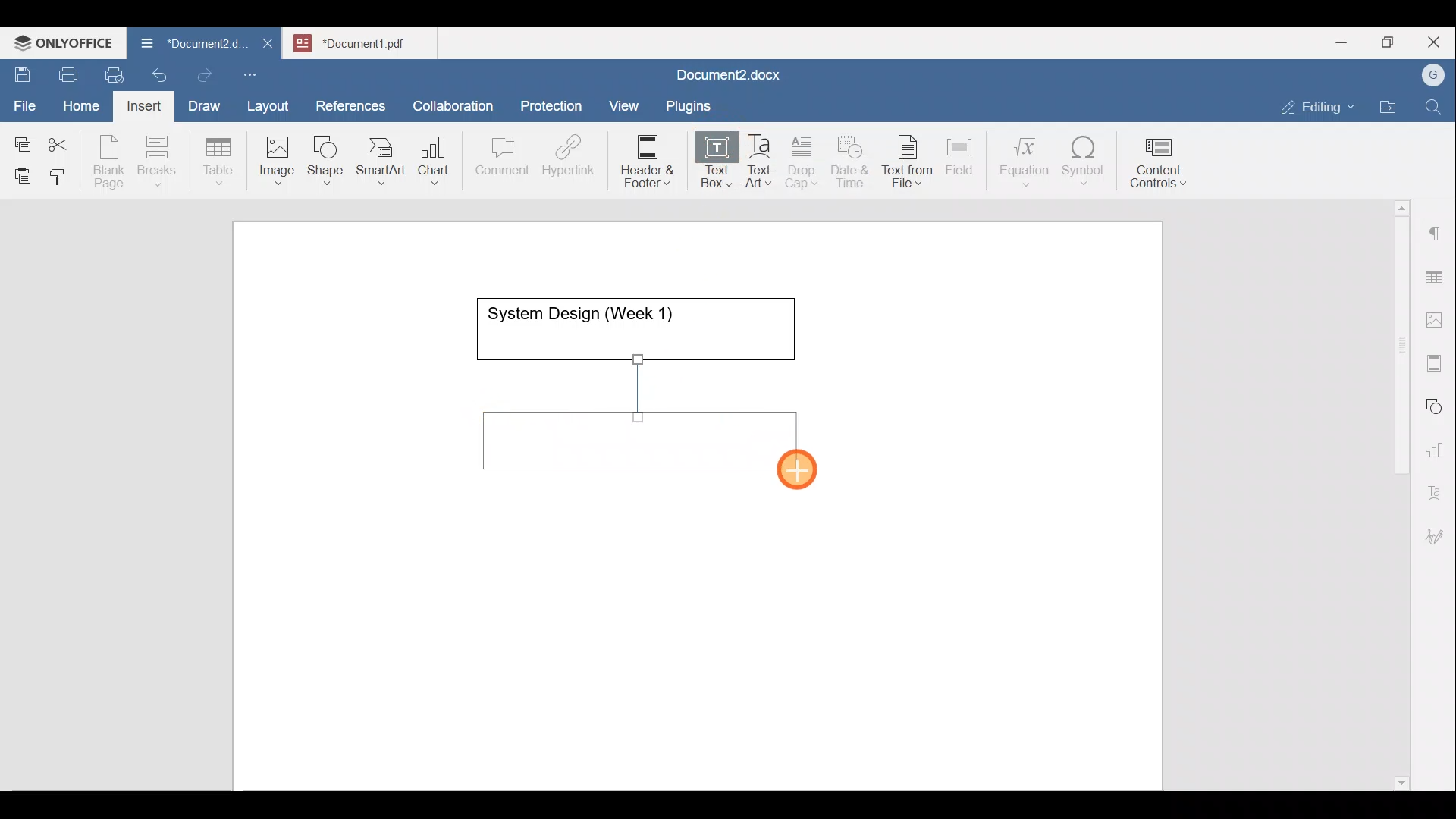 This screenshot has height=819, width=1456. Describe the element at coordinates (185, 45) in the screenshot. I see `Document name` at that location.